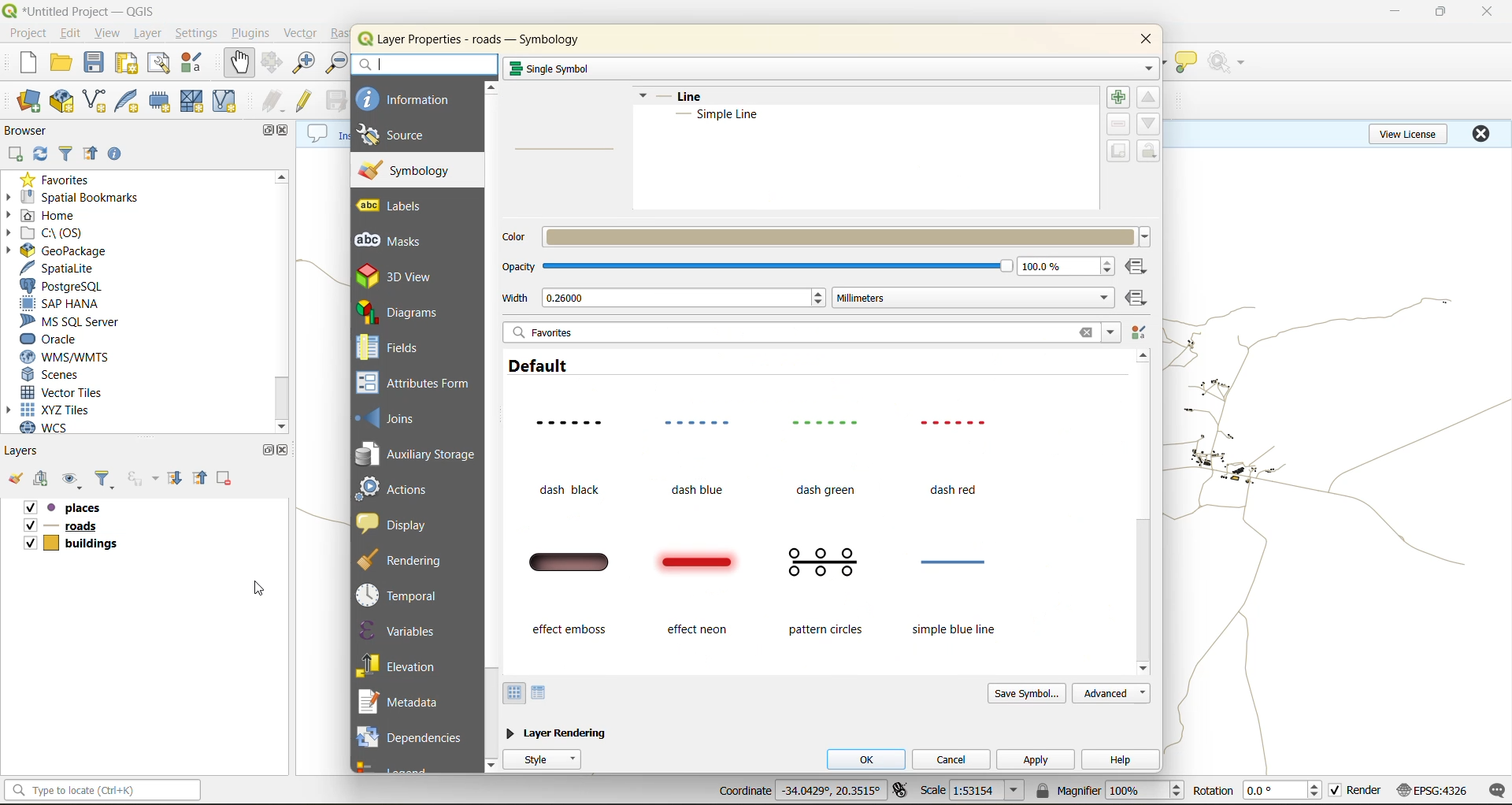 The height and width of the screenshot is (805, 1512). Describe the element at coordinates (70, 480) in the screenshot. I see `manage map` at that location.